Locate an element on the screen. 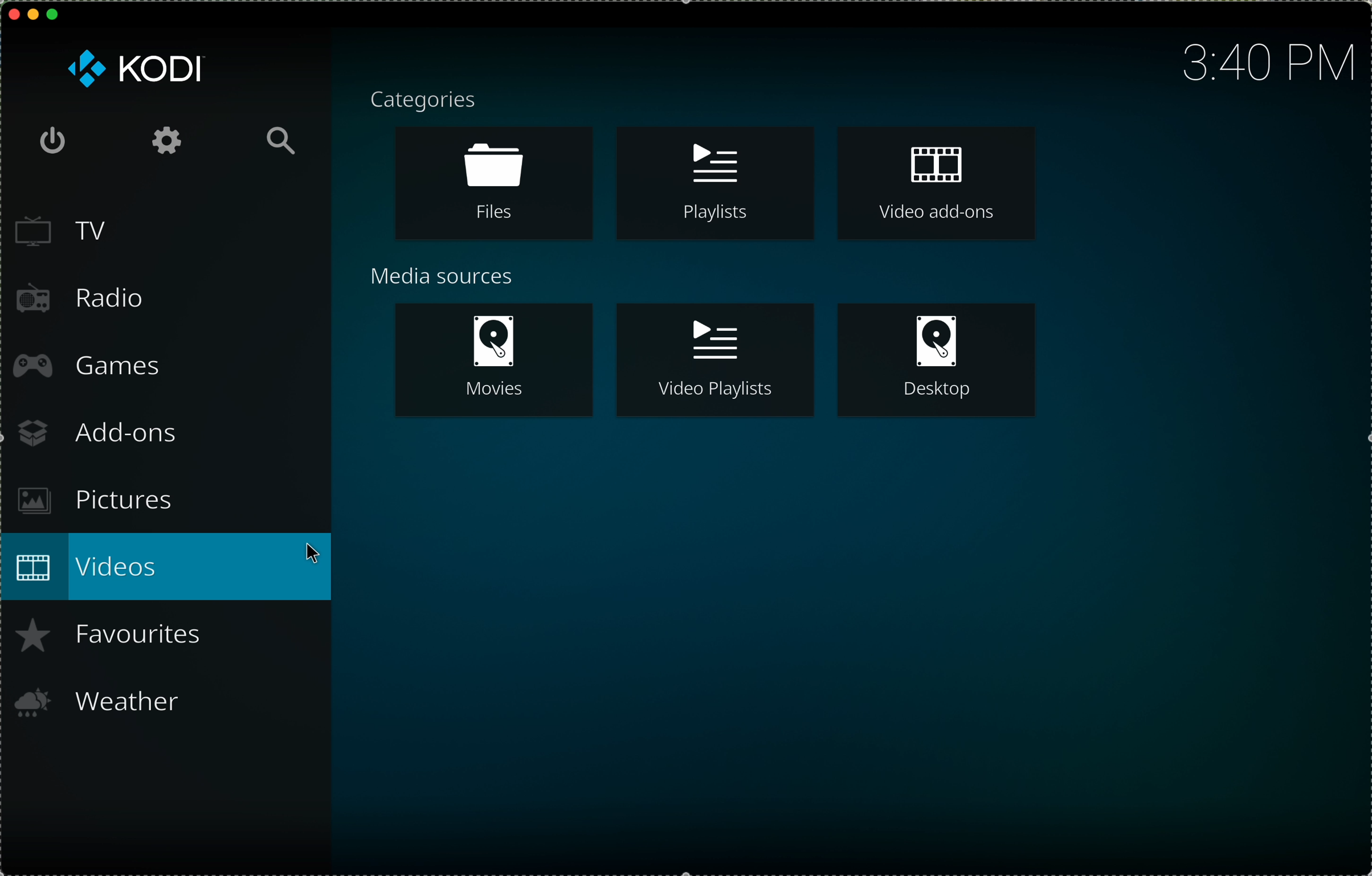  favourites is located at coordinates (116, 636).